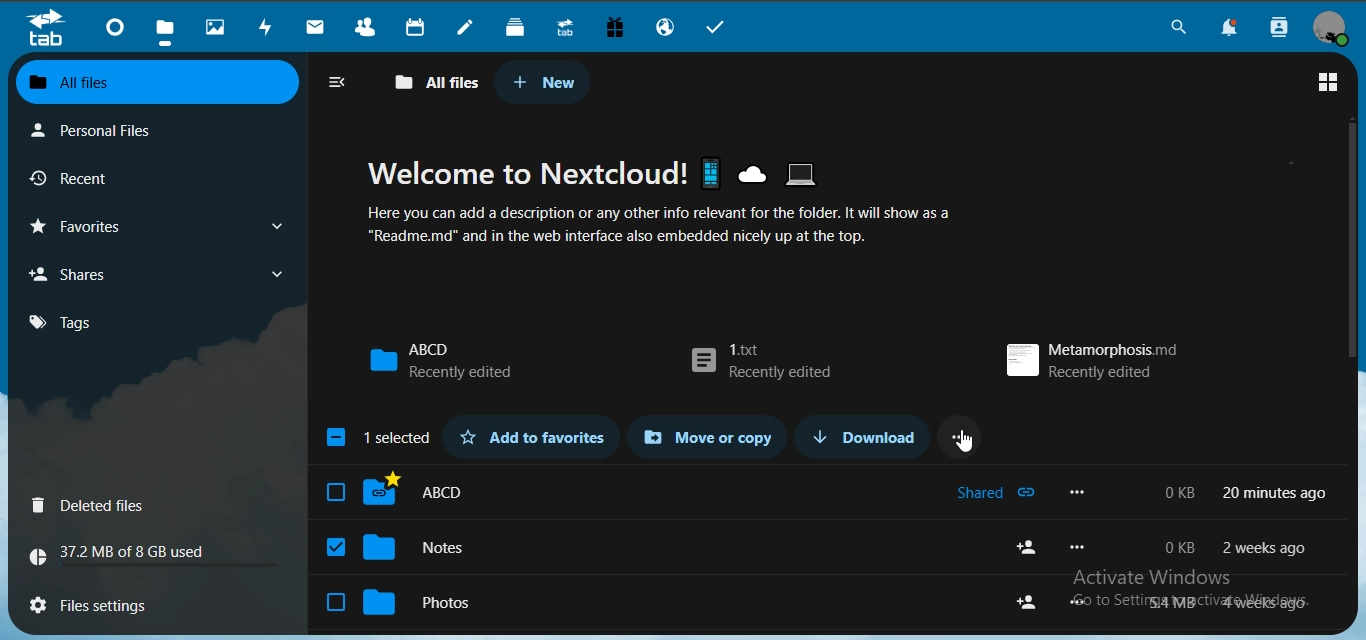 This screenshot has width=1366, height=640. I want to click on Deleted files, so click(115, 505).